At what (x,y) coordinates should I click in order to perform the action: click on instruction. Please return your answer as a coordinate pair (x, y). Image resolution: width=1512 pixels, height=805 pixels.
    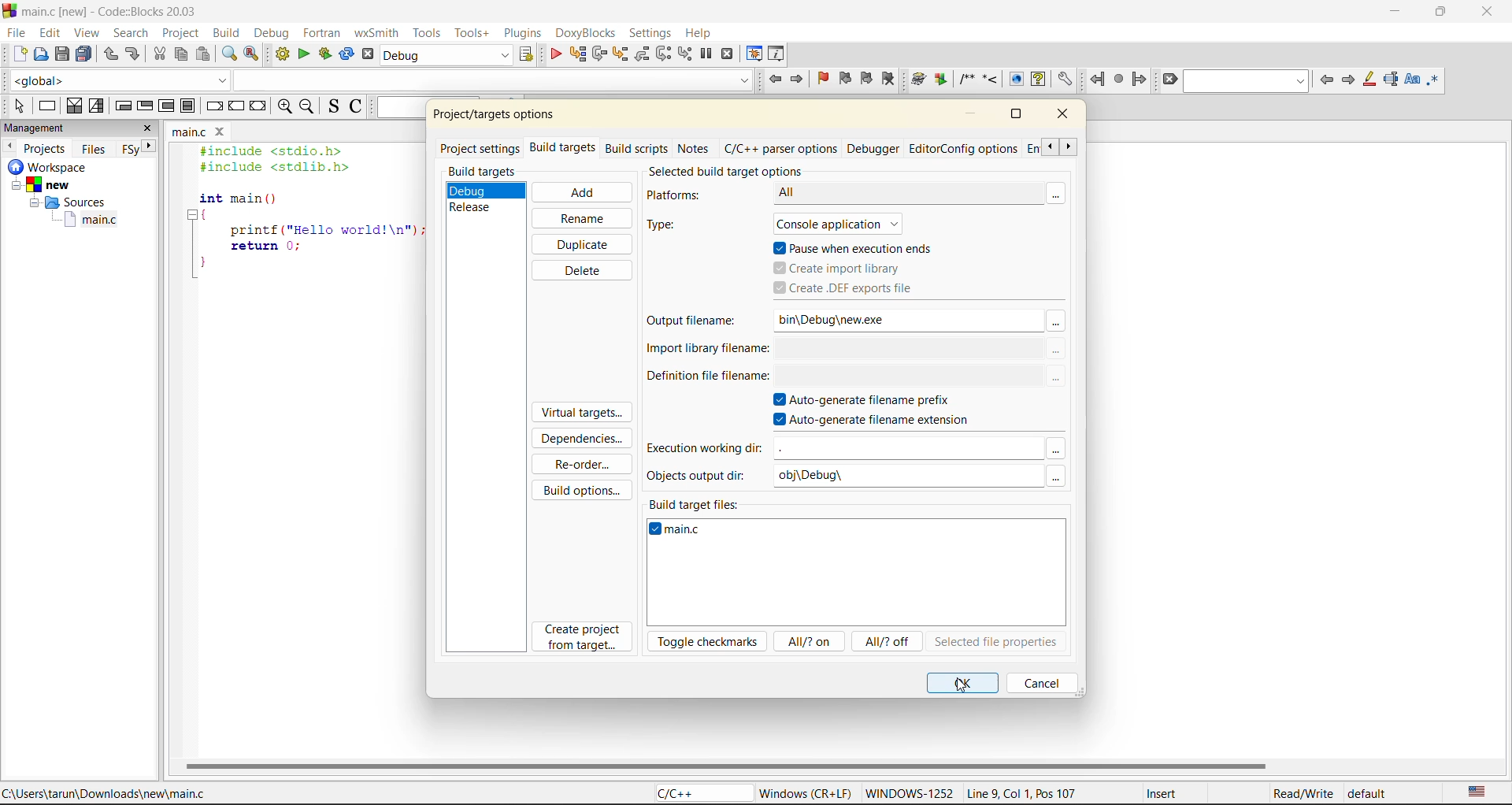
    Looking at the image, I should click on (50, 106).